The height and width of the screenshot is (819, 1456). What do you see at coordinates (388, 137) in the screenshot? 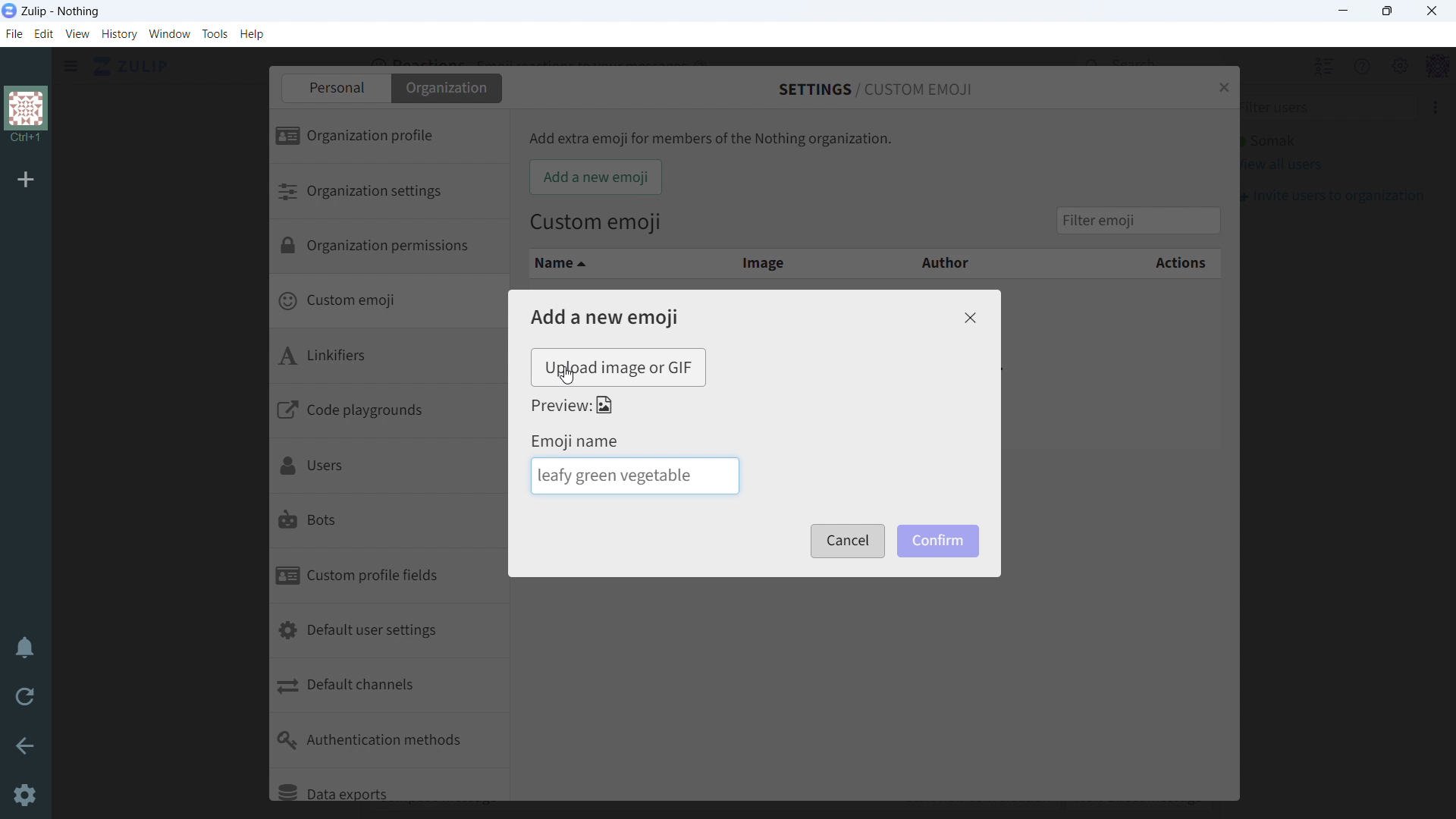
I see `organization profile` at bounding box center [388, 137].